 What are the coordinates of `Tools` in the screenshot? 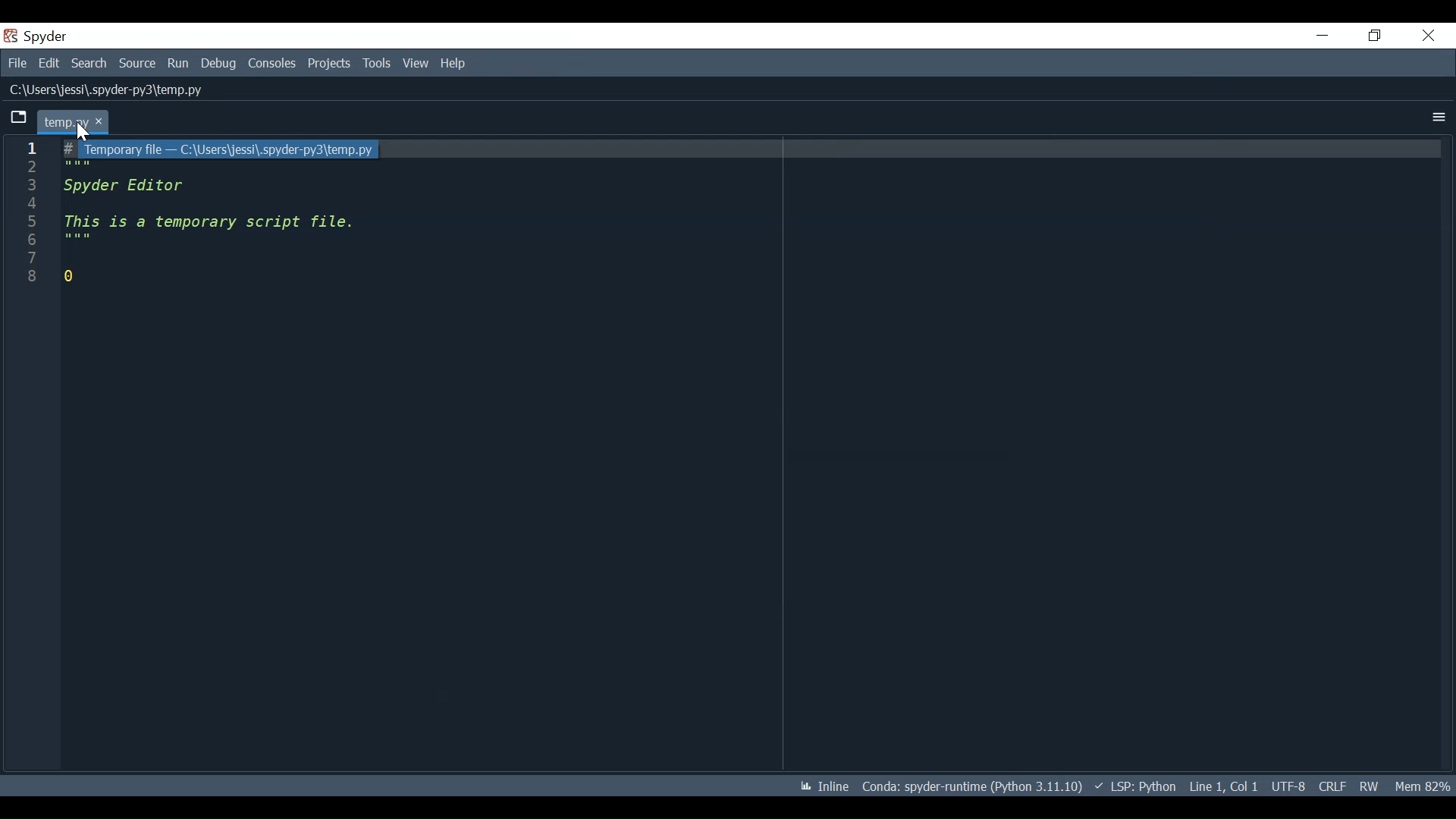 It's located at (376, 63).